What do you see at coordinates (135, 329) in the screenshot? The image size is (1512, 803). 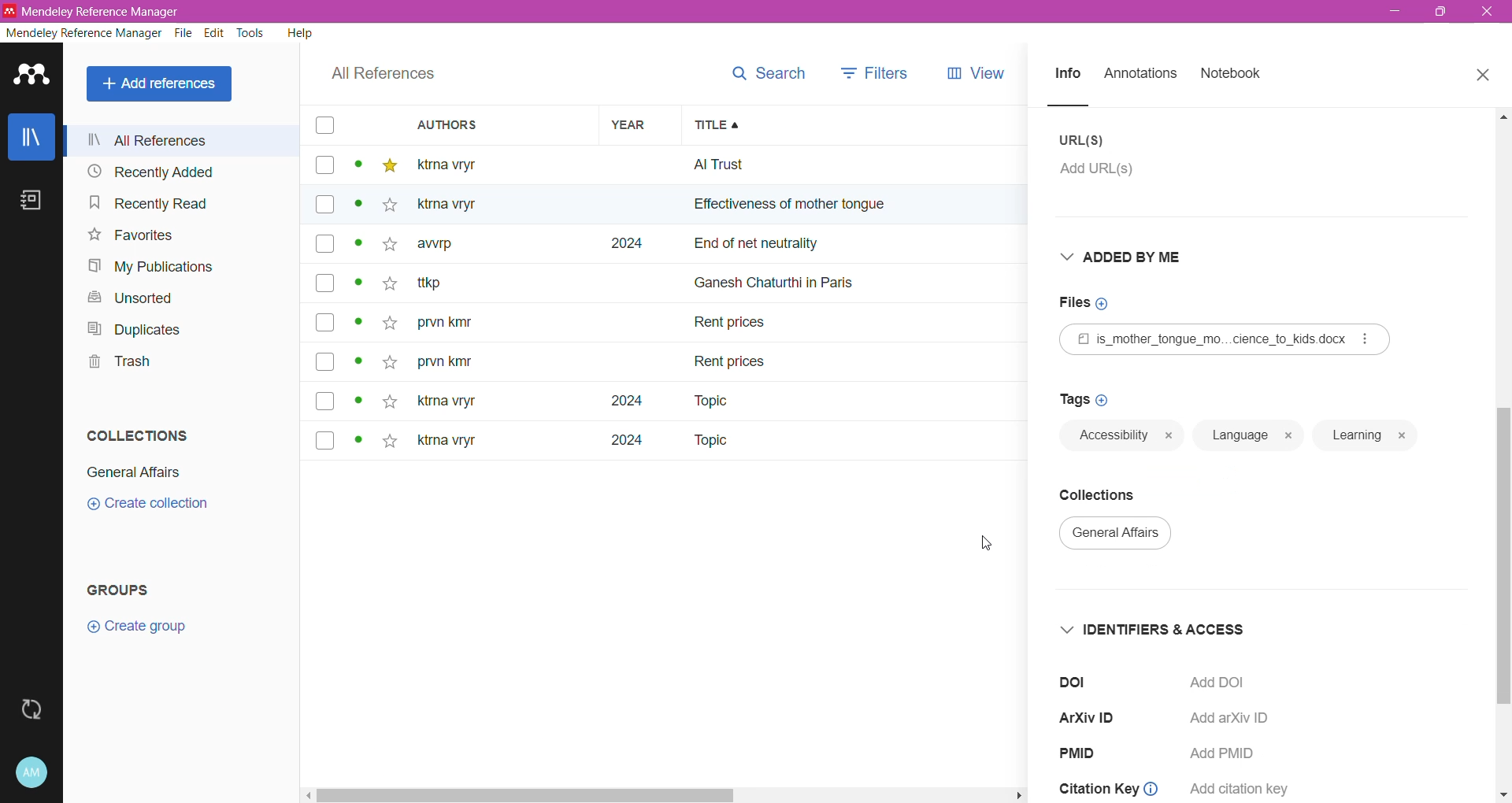 I see `Duplicates` at bounding box center [135, 329].